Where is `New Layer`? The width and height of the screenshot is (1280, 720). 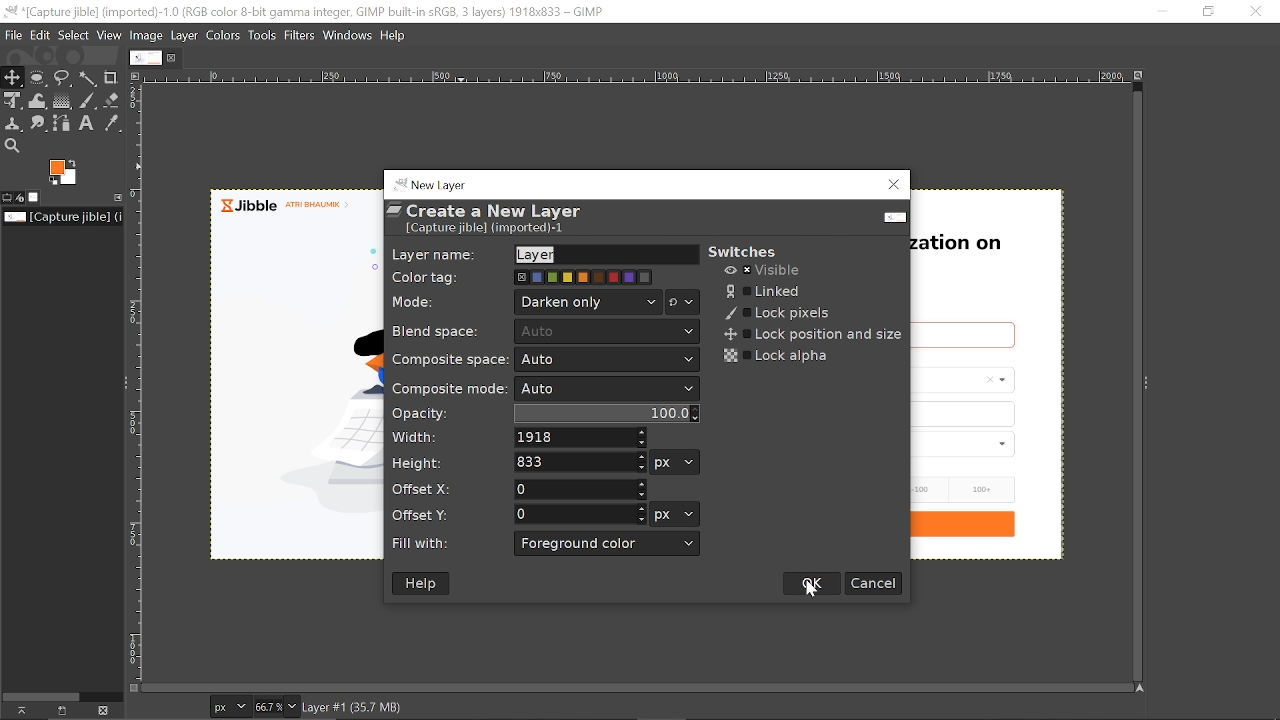
New Layer is located at coordinates (436, 183).